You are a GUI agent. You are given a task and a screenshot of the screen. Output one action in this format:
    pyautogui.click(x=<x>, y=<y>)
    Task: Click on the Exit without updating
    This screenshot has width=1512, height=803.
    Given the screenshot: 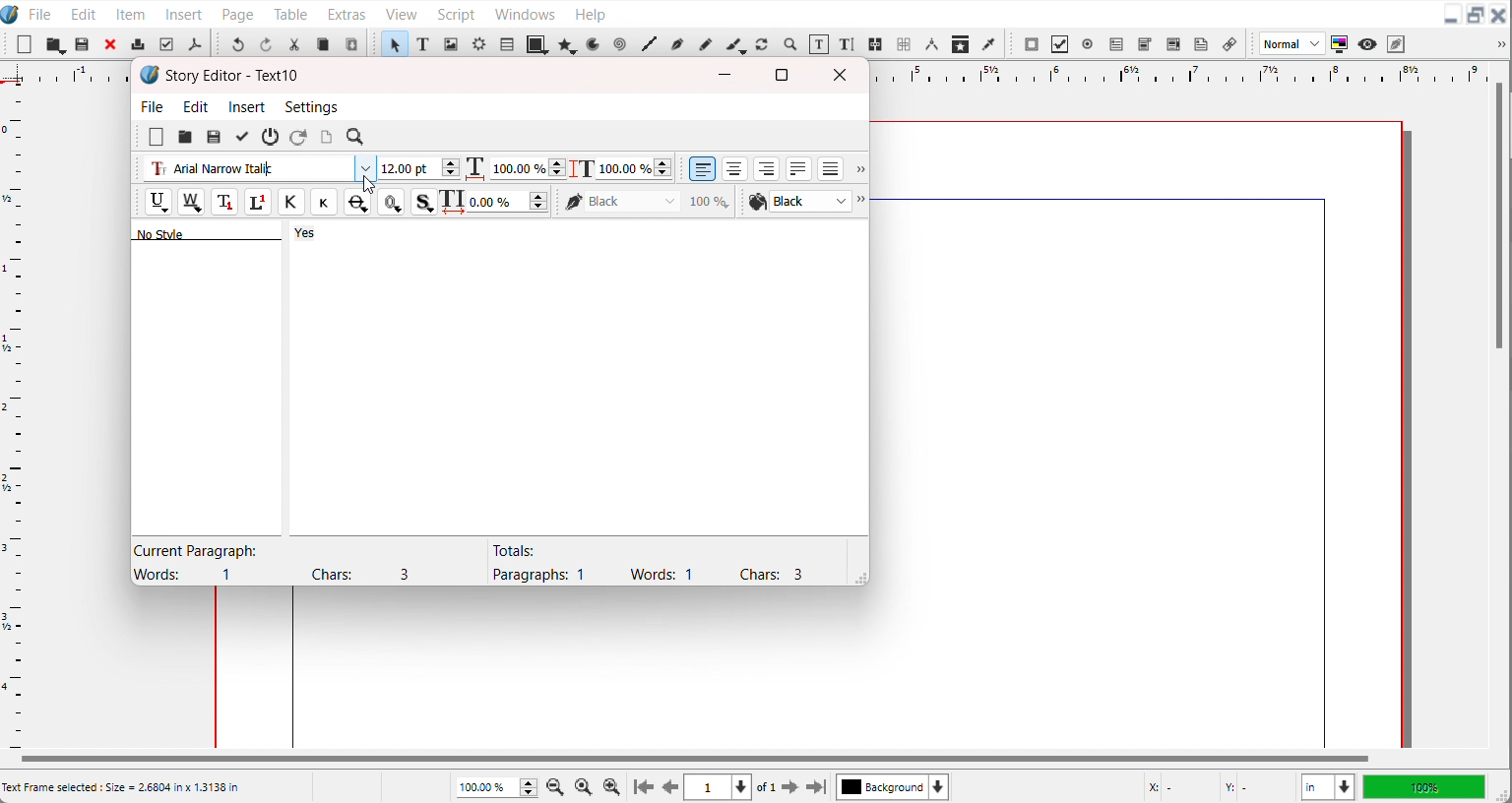 What is the action you would take?
    pyautogui.click(x=271, y=137)
    